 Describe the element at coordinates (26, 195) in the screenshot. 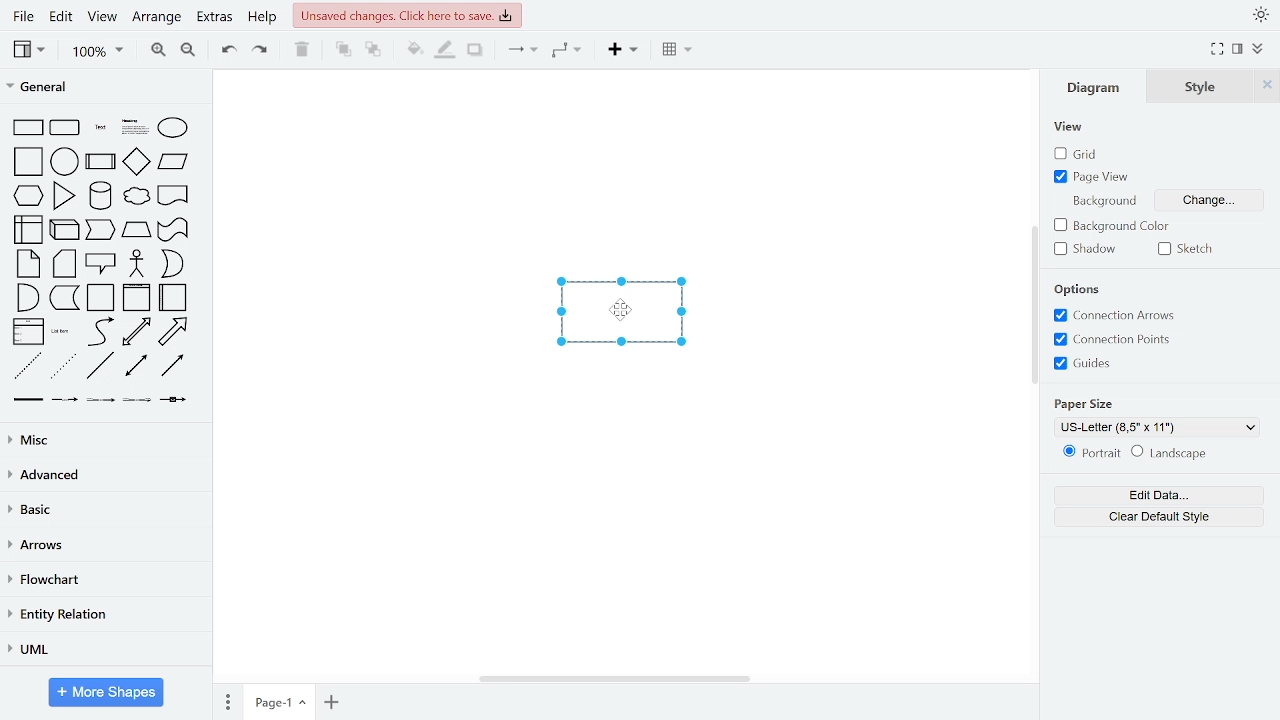

I see `general shapesgeneral shapes` at that location.